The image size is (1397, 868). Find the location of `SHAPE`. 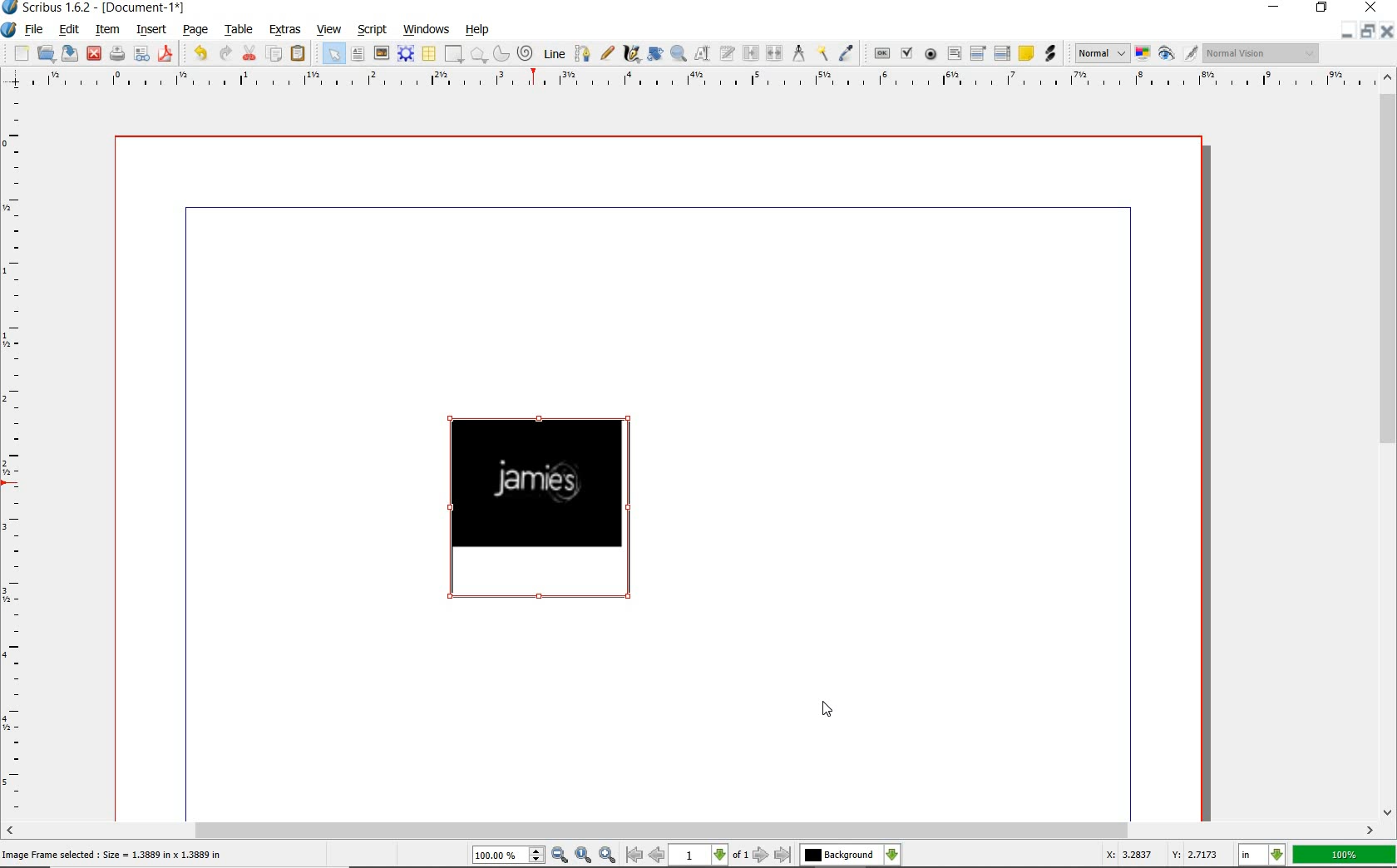

SHAPE is located at coordinates (454, 54).